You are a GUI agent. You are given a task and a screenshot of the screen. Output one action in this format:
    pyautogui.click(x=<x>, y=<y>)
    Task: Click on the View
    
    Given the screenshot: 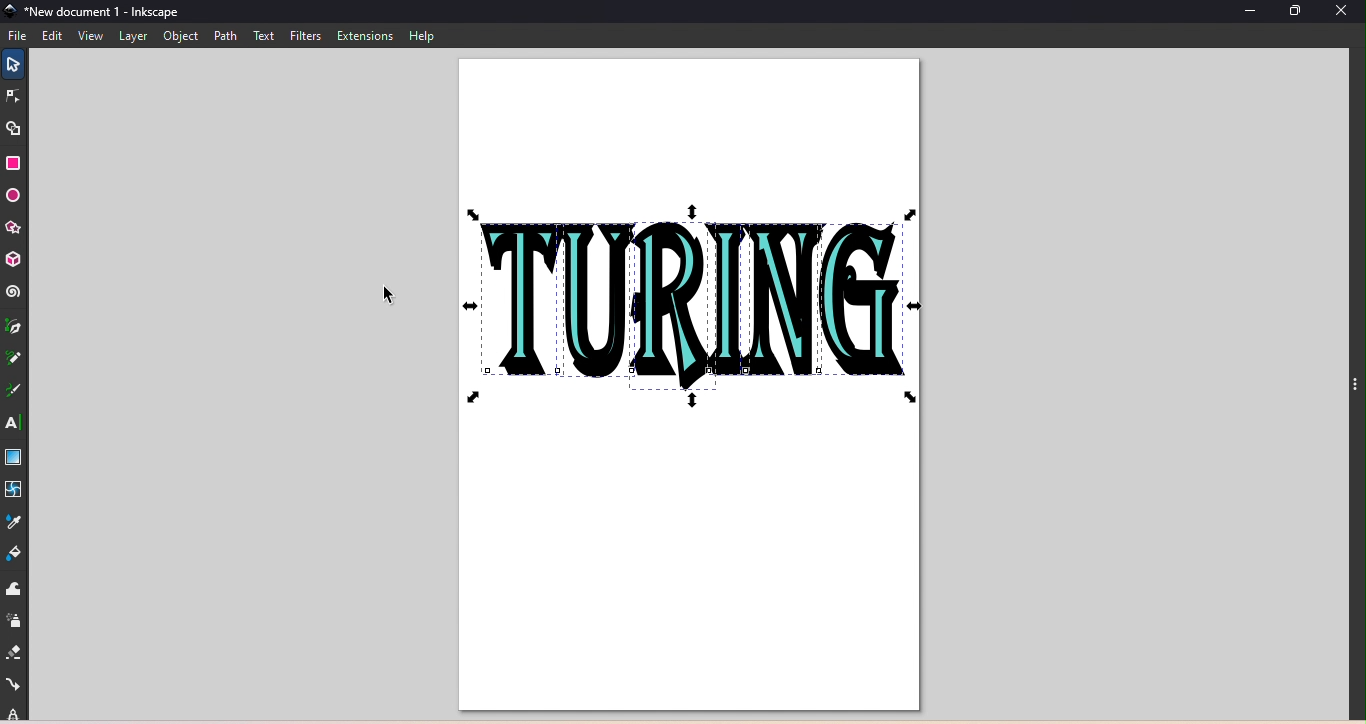 What is the action you would take?
    pyautogui.click(x=88, y=37)
    